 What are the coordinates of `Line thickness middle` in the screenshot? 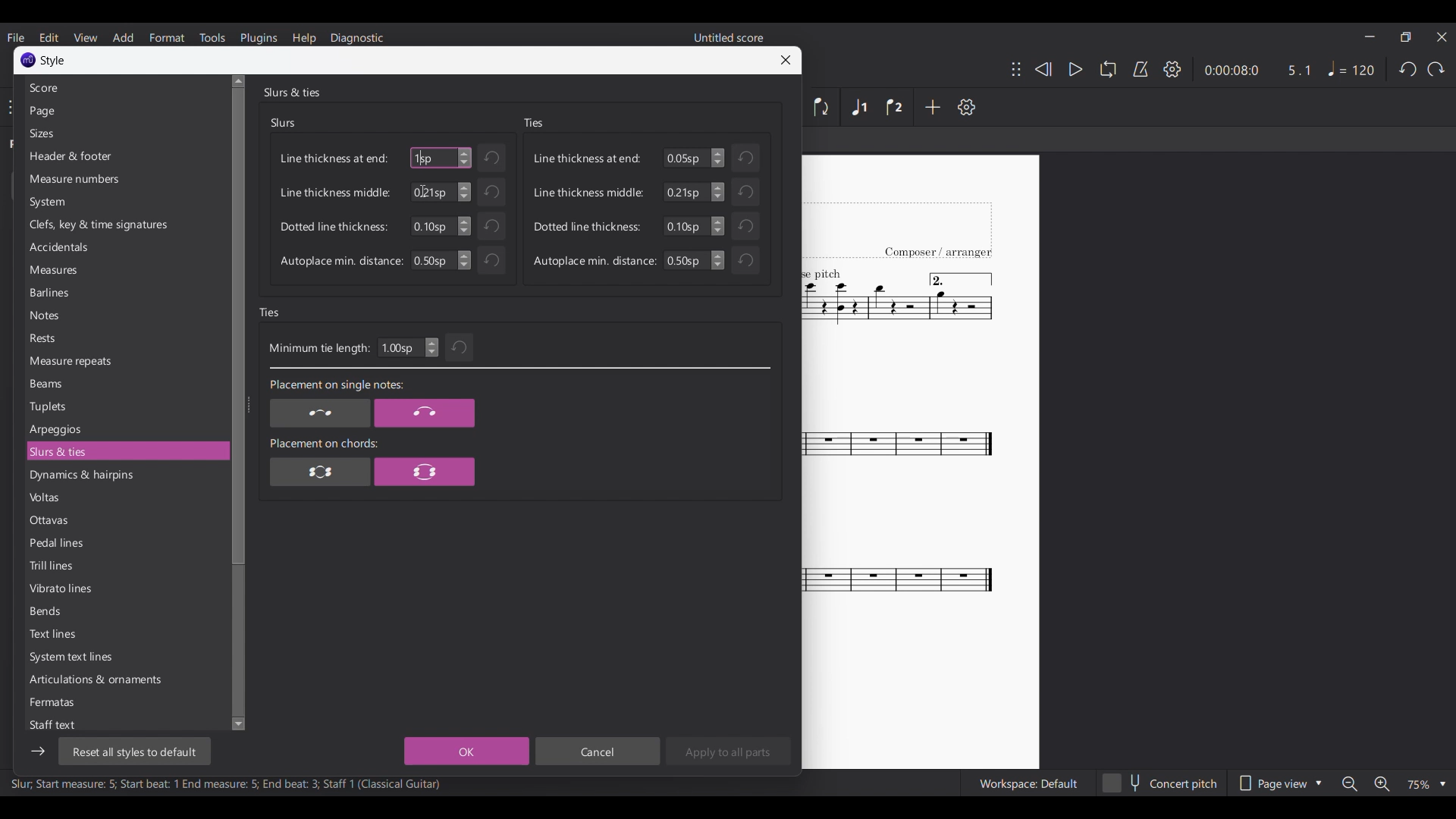 It's located at (588, 193).